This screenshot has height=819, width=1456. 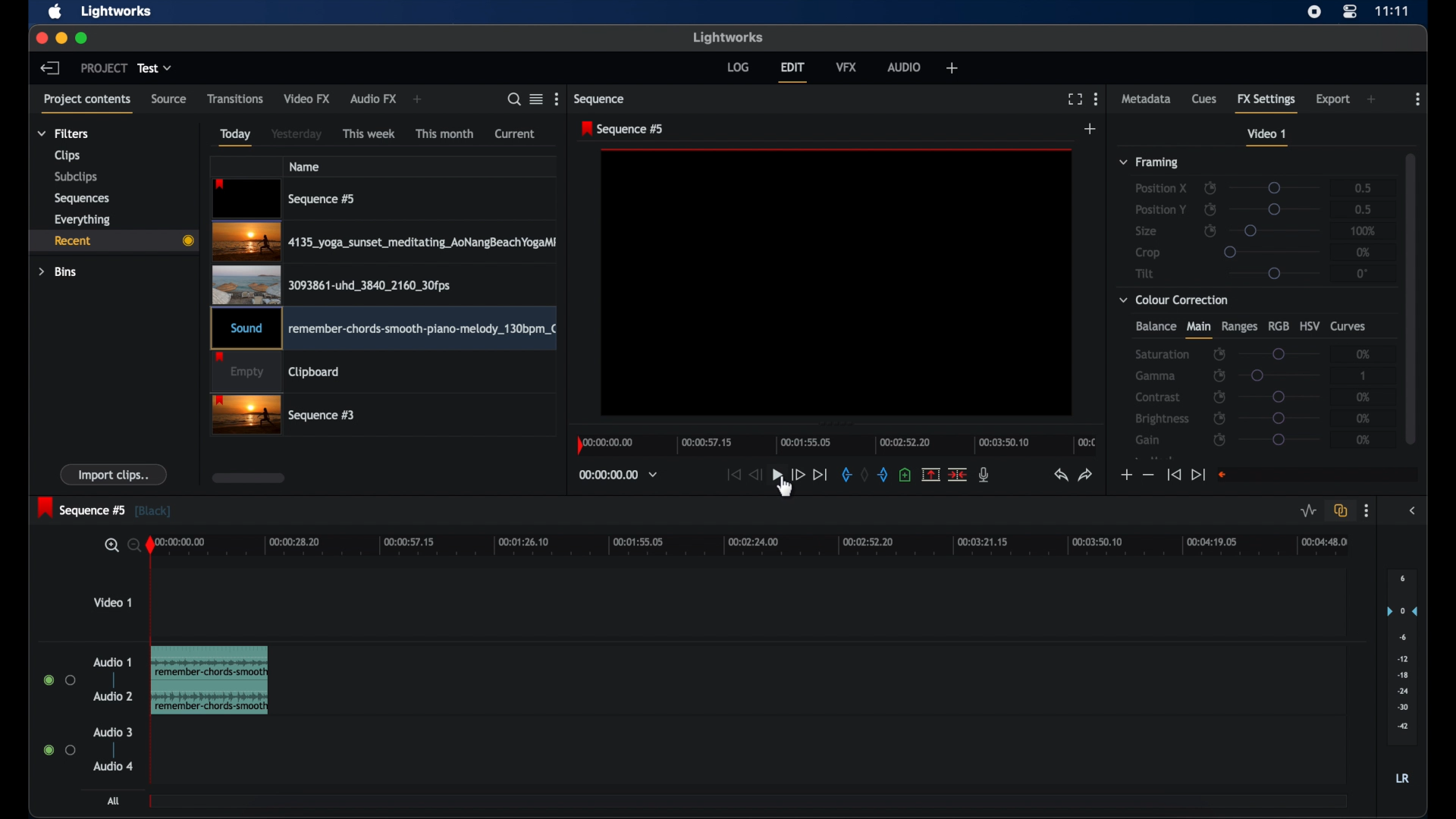 I want to click on import clips, so click(x=114, y=474).